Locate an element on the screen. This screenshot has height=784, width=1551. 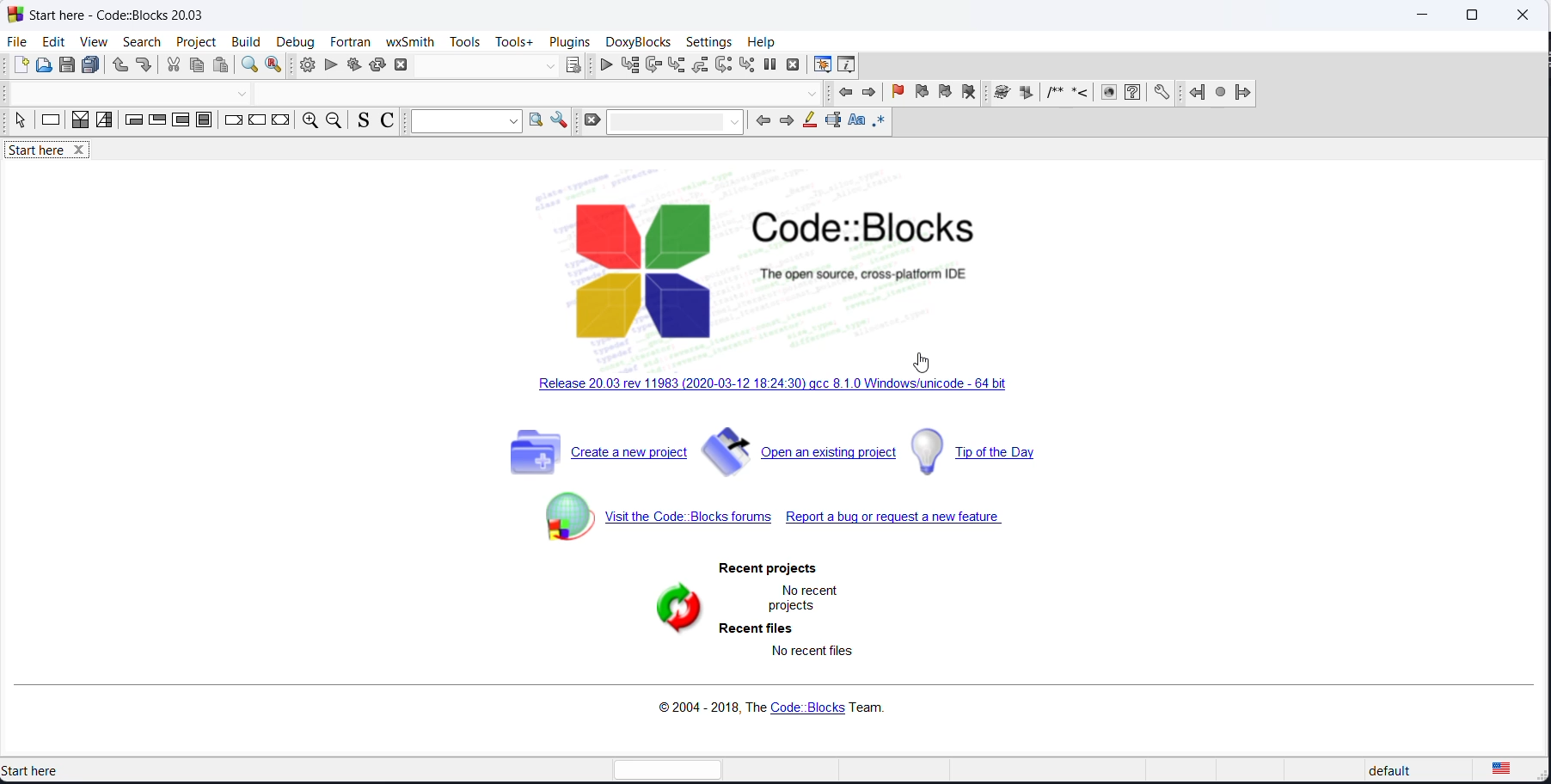
help is located at coordinates (761, 41).